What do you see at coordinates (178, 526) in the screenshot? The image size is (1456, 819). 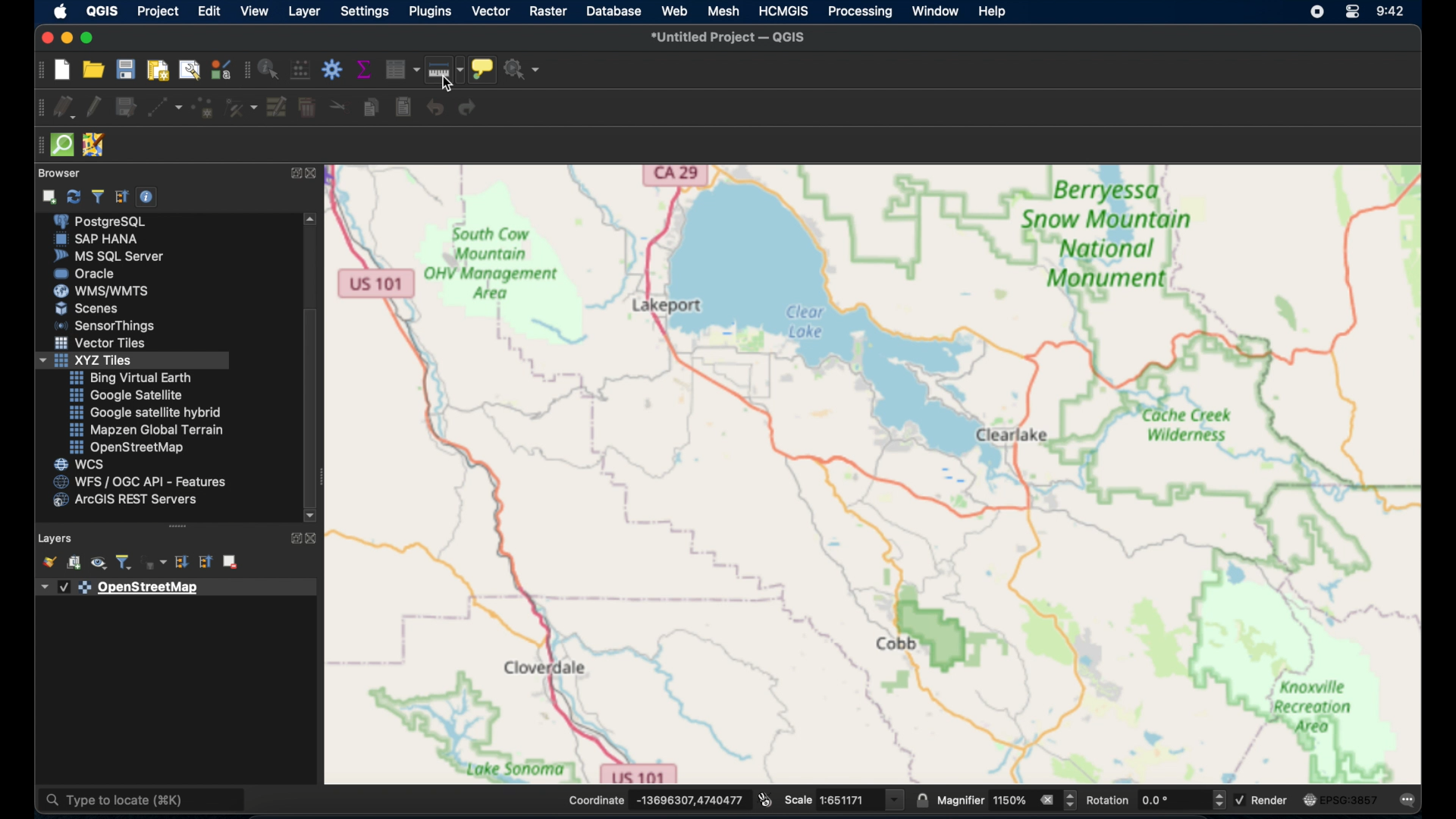 I see `drag handle` at bounding box center [178, 526].